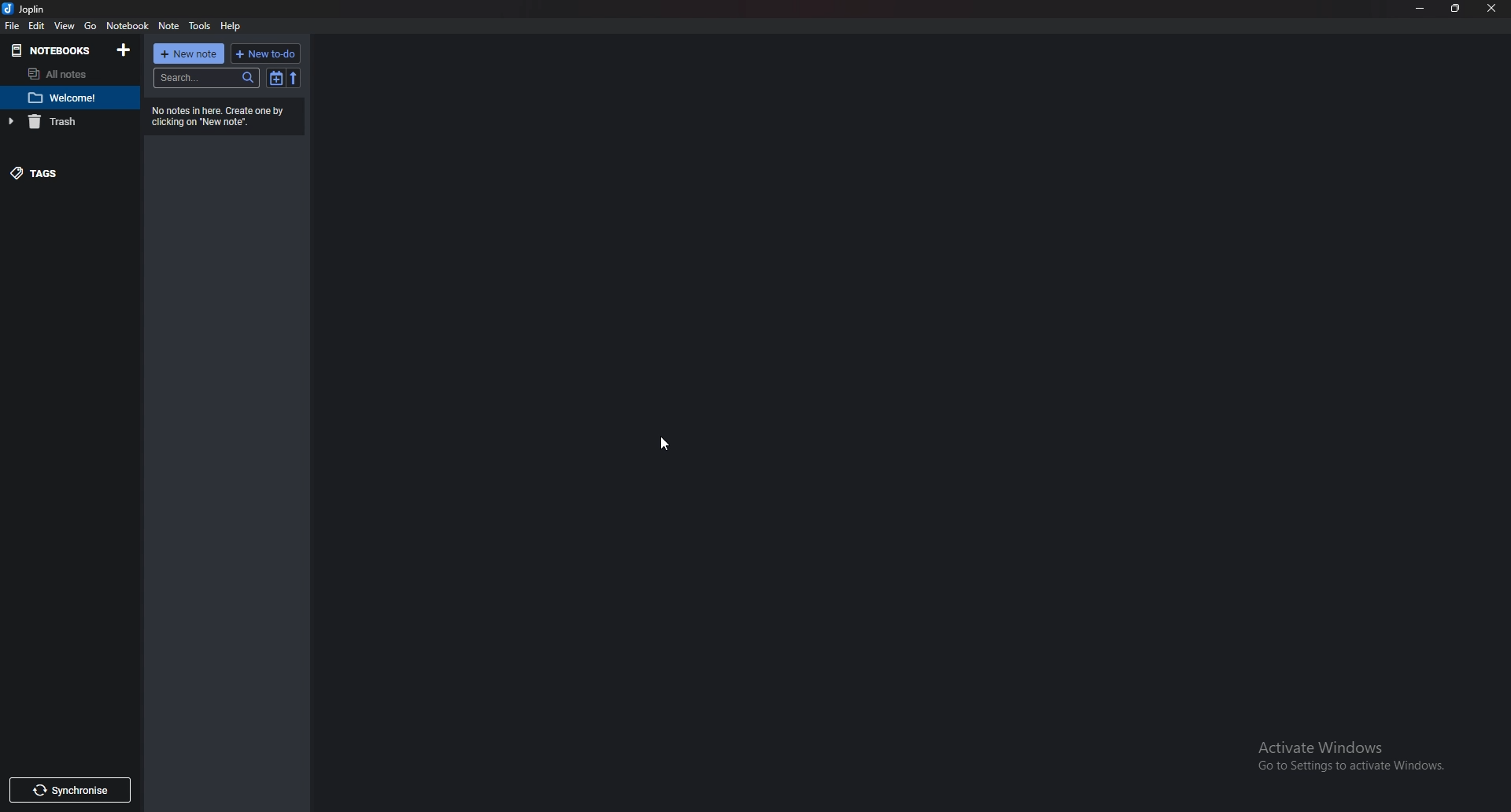 This screenshot has height=812, width=1511. What do you see at coordinates (205, 79) in the screenshot?
I see `Search` at bounding box center [205, 79].